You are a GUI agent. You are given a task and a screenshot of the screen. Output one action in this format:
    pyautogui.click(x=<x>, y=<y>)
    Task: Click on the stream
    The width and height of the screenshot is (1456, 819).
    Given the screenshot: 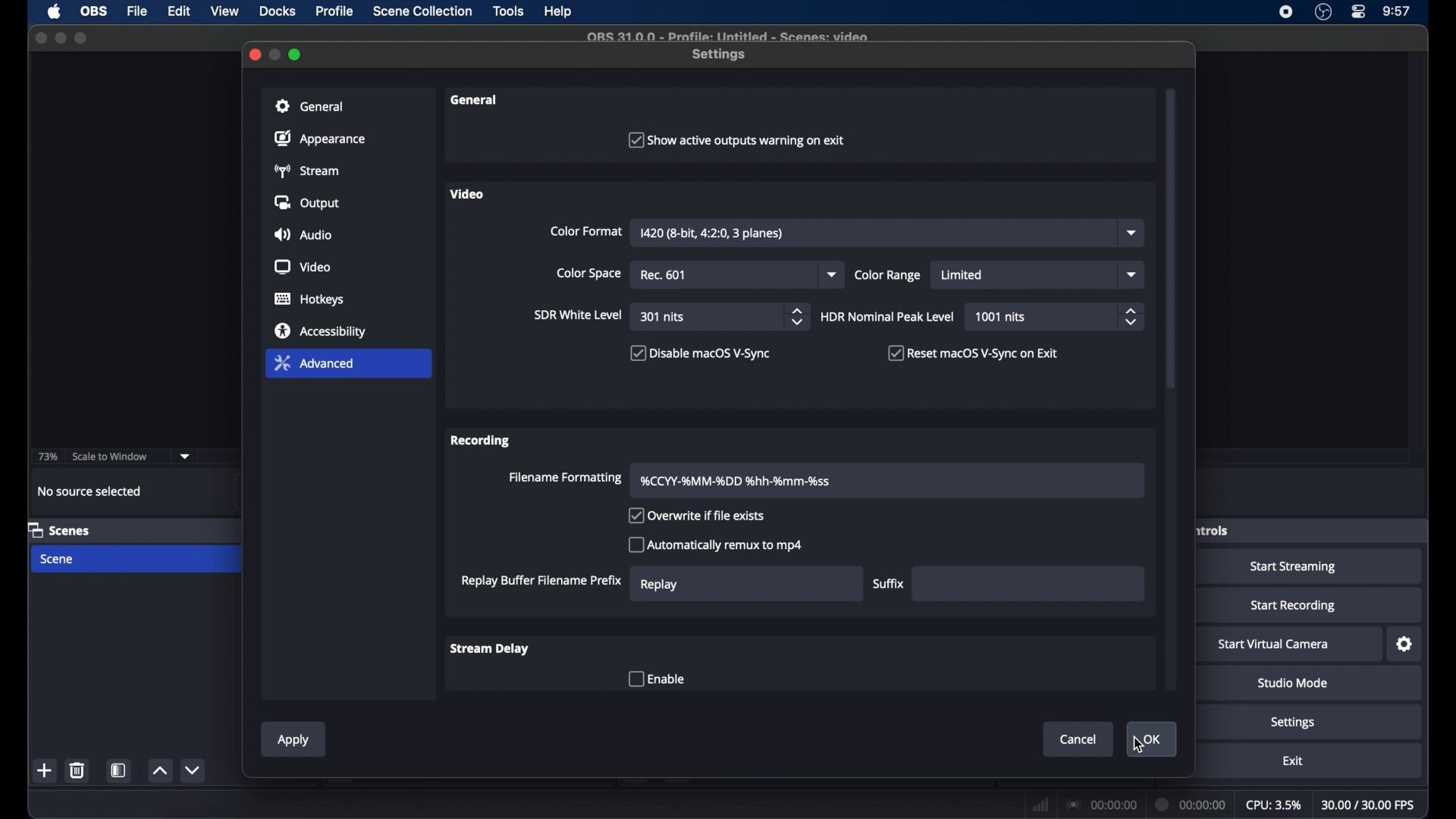 What is the action you would take?
    pyautogui.click(x=305, y=171)
    